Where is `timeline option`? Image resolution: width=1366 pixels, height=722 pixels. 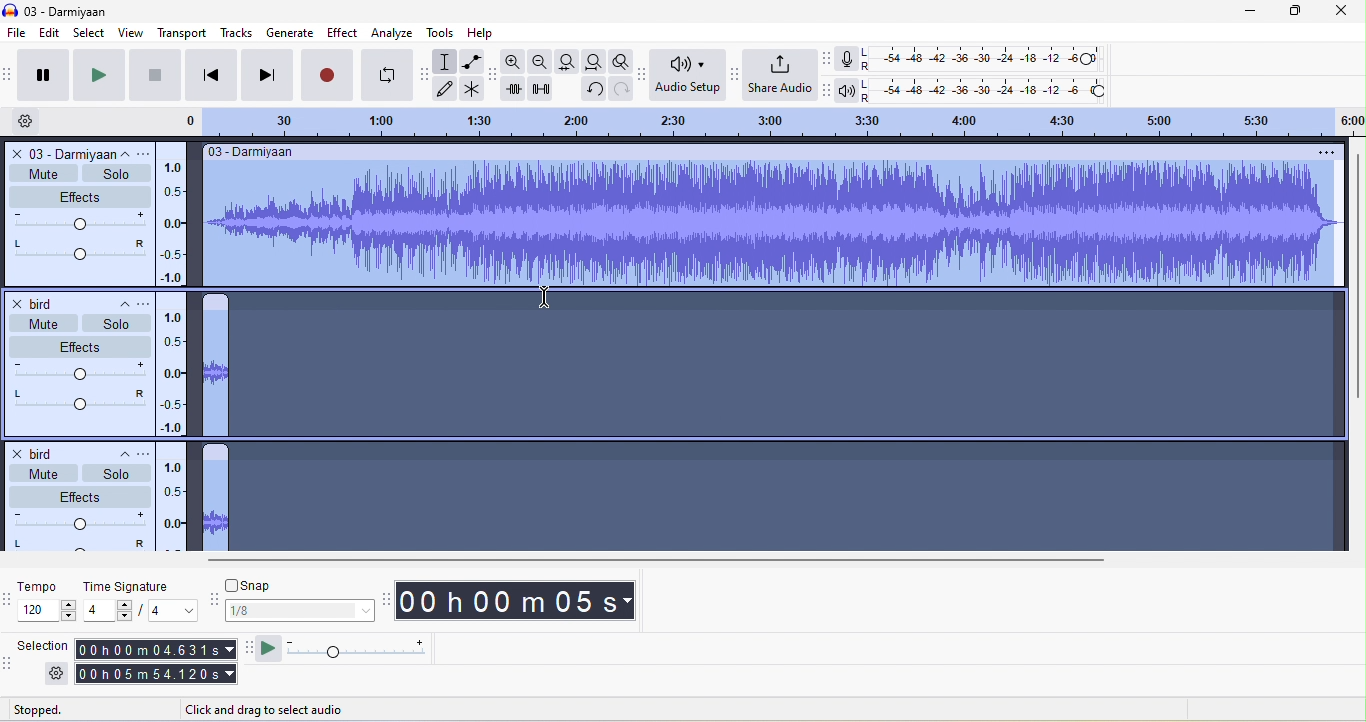 timeline option is located at coordinates (34, 121).